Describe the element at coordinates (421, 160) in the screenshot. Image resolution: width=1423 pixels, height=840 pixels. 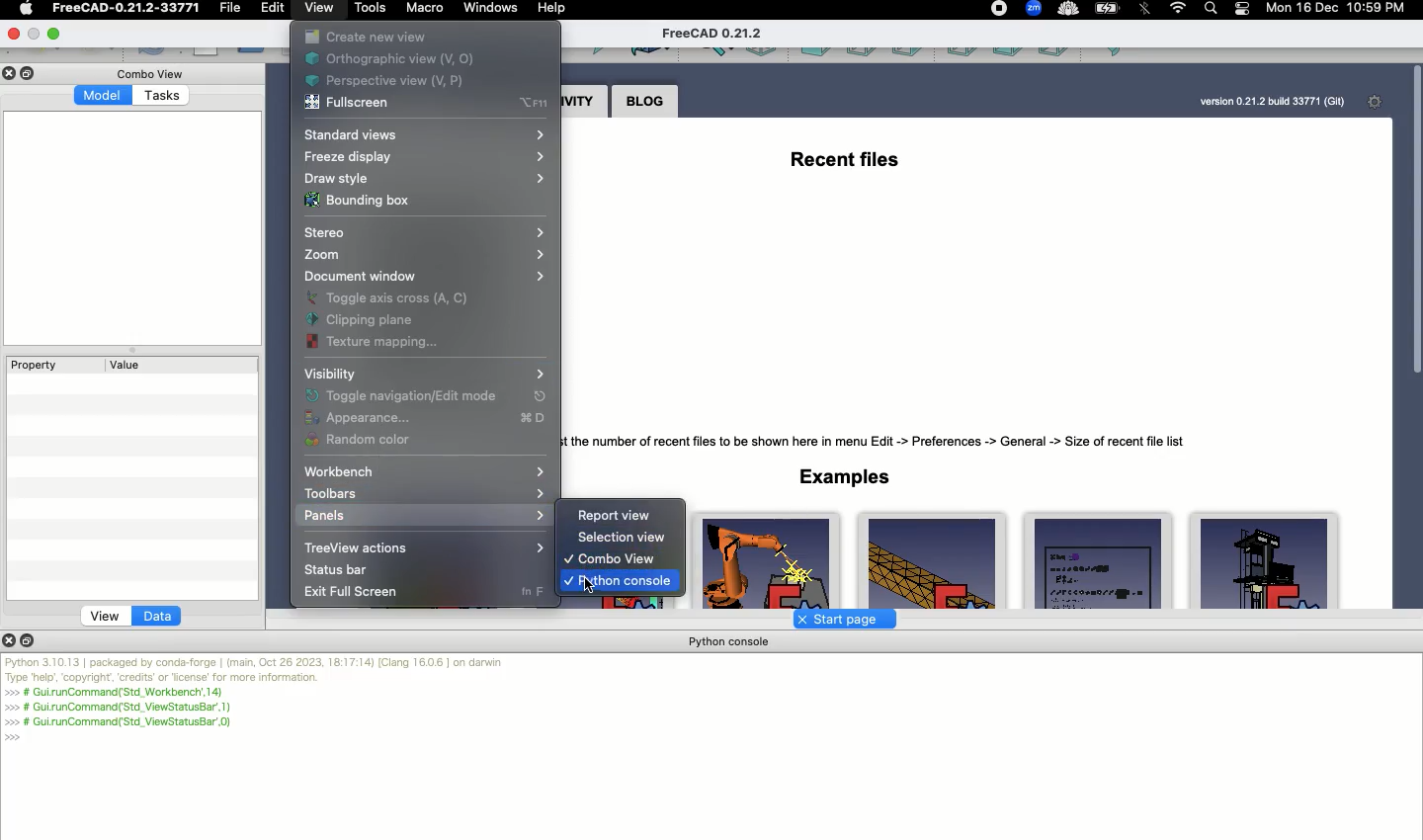
I see `Freeze display` at that location.